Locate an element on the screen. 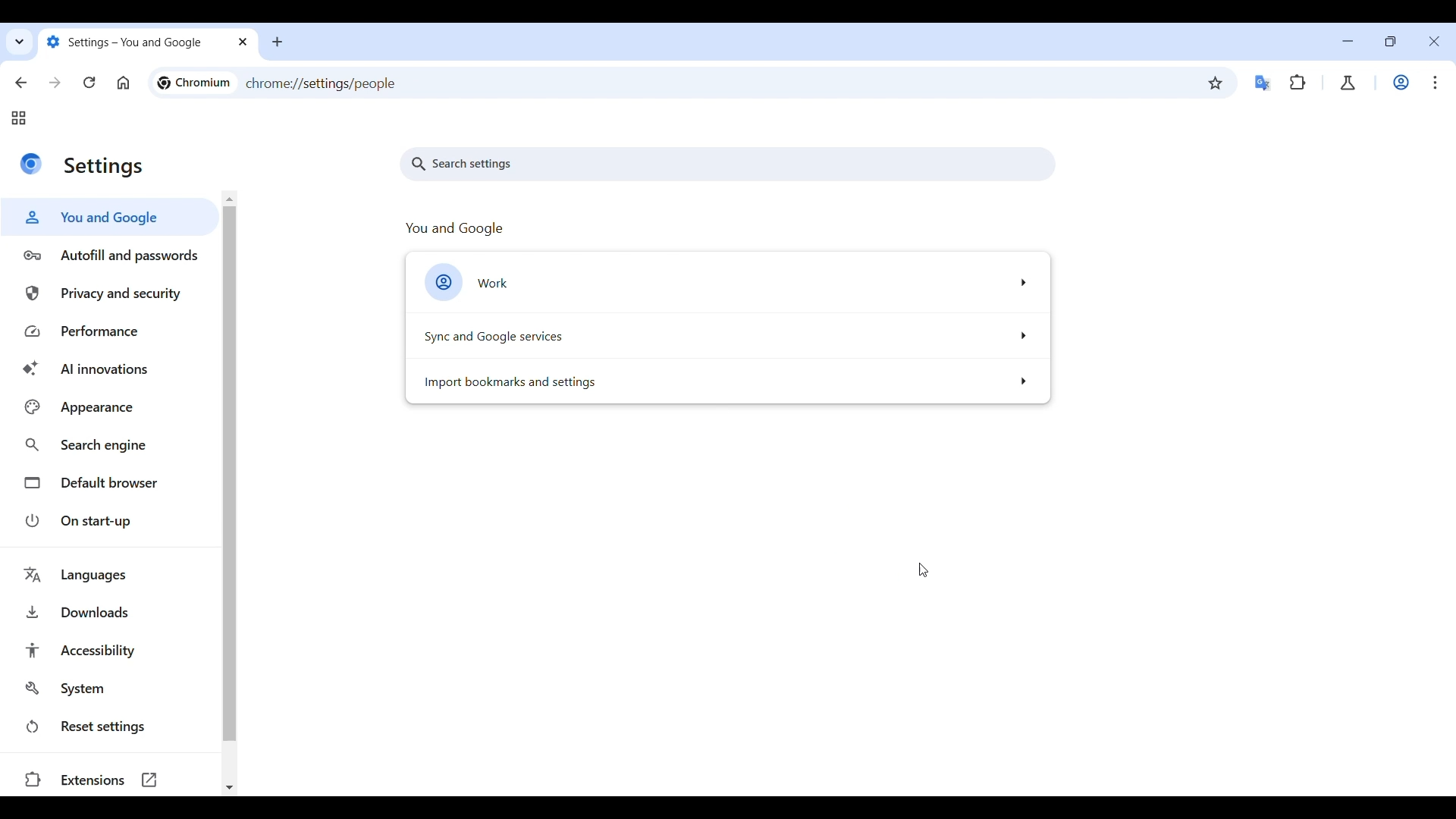 Image resolution: width=1456 pixels, height=819 pixels. Google translator extension is located at coordinates (1264, 83).